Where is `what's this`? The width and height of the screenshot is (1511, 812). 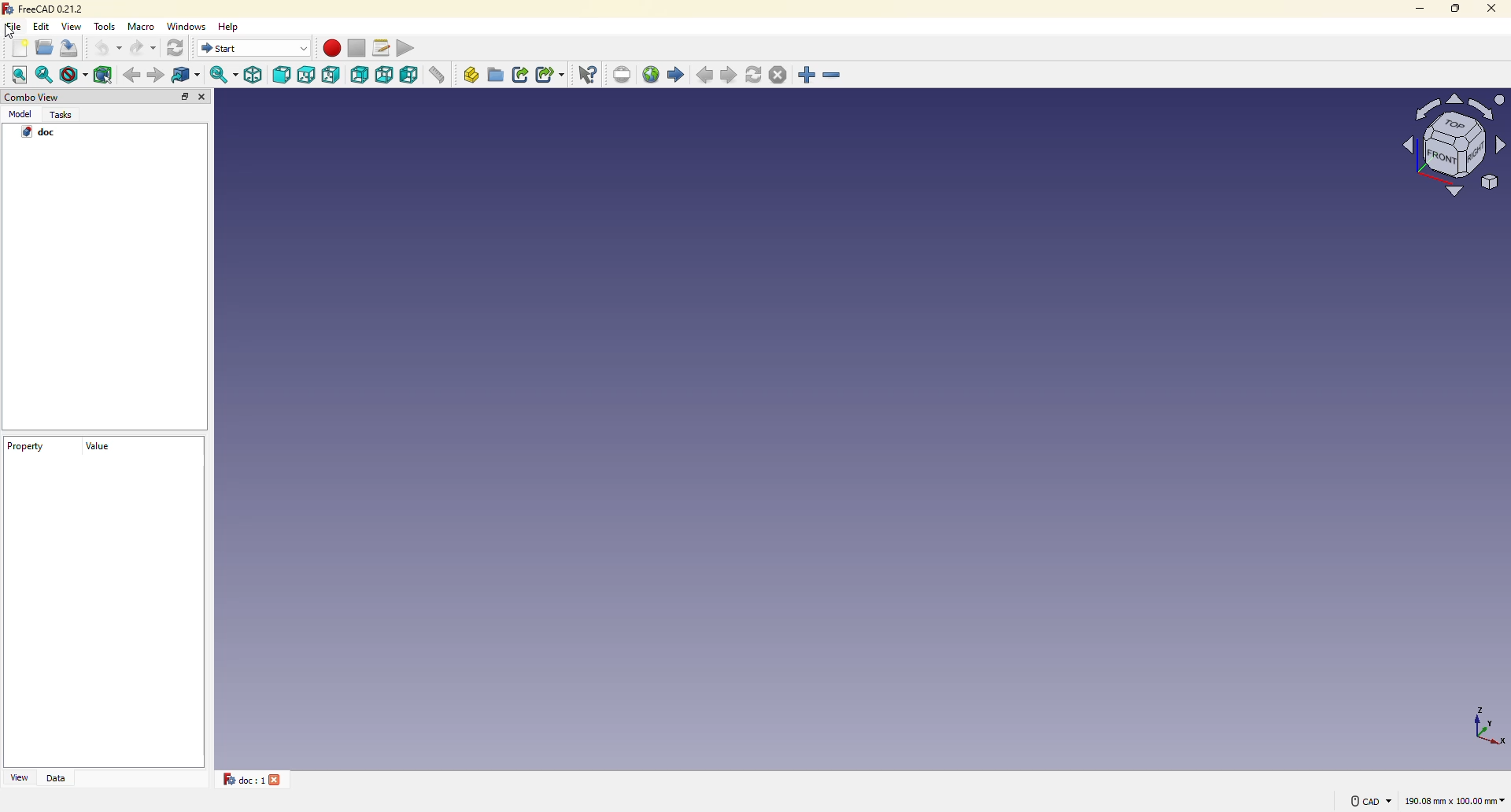 what's this is located at coordinates (589, 74).